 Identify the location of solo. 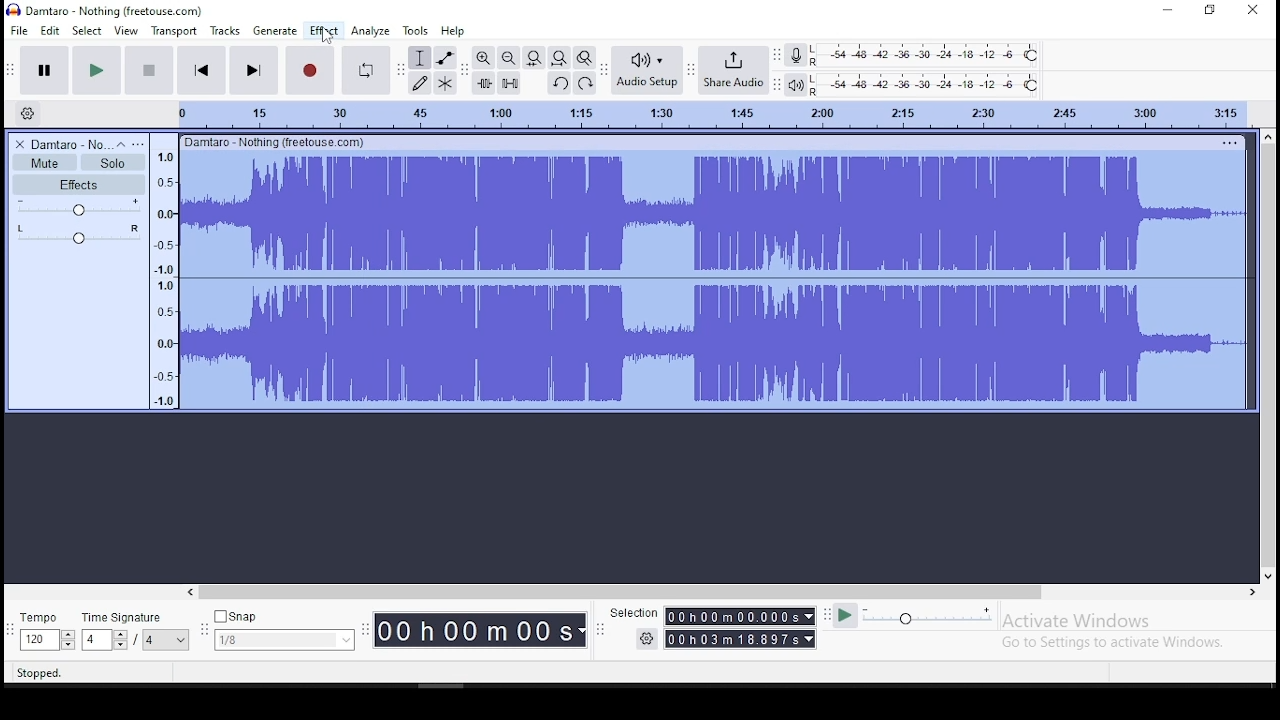
(113, 163).